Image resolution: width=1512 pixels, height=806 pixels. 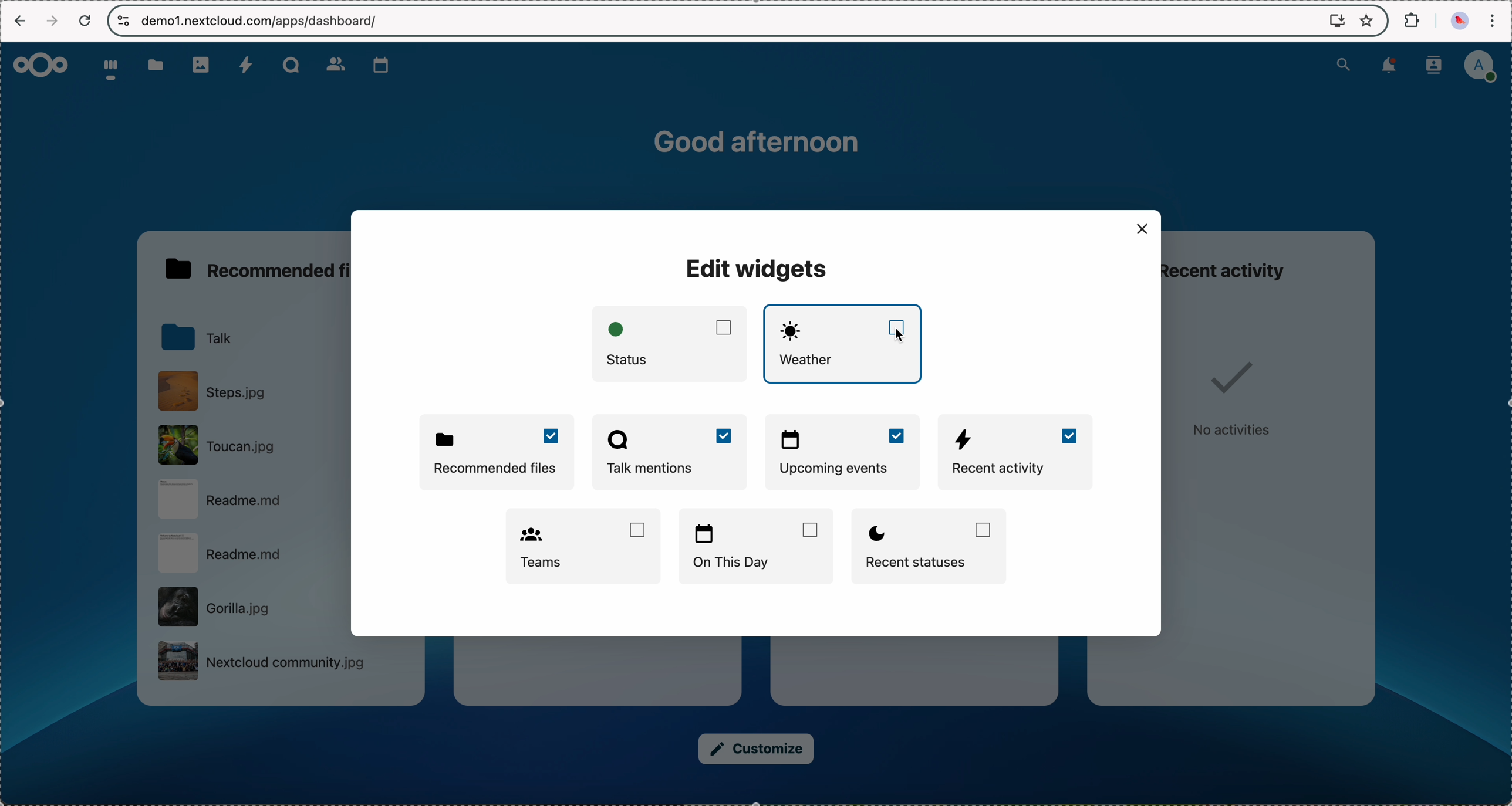 I want to click on dashboard, so click(x=109, y=69).